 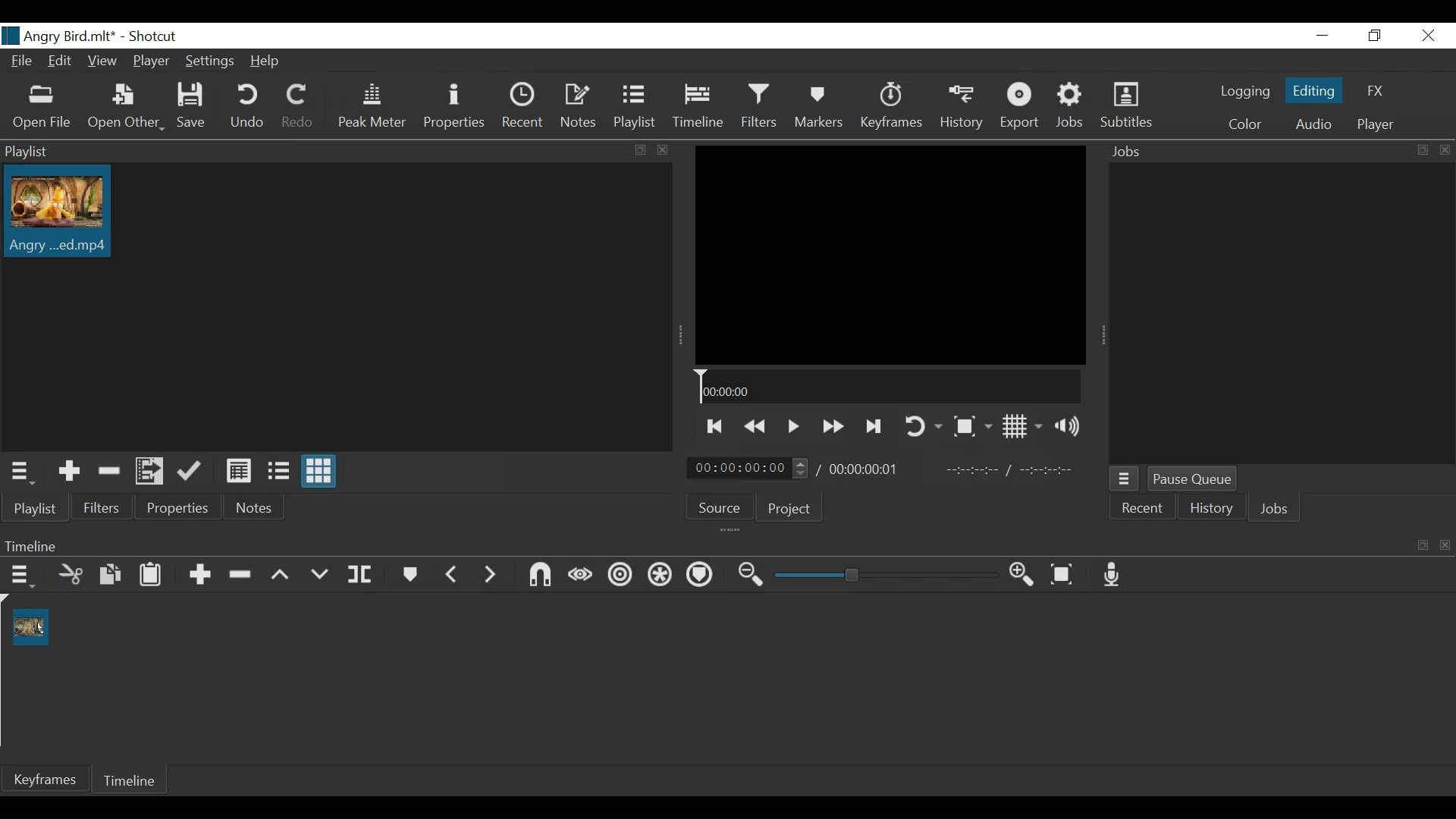 What do you see at coordinates (1313, 89) in the screenshot?
I see `Editing` at bounding box center [1313, 89].